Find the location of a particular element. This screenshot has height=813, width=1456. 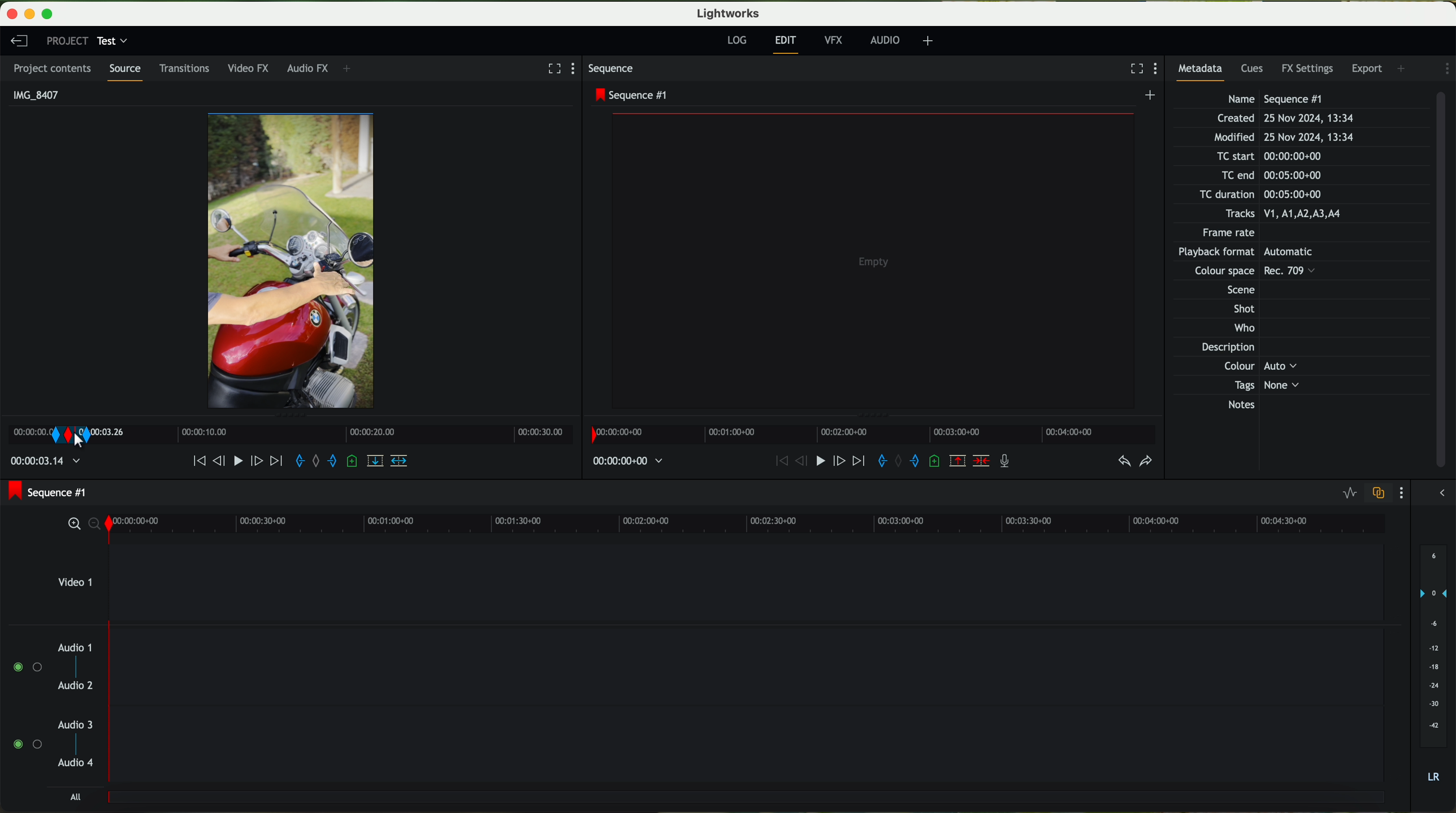

sequence #1 is located at coordinates (631, 95).